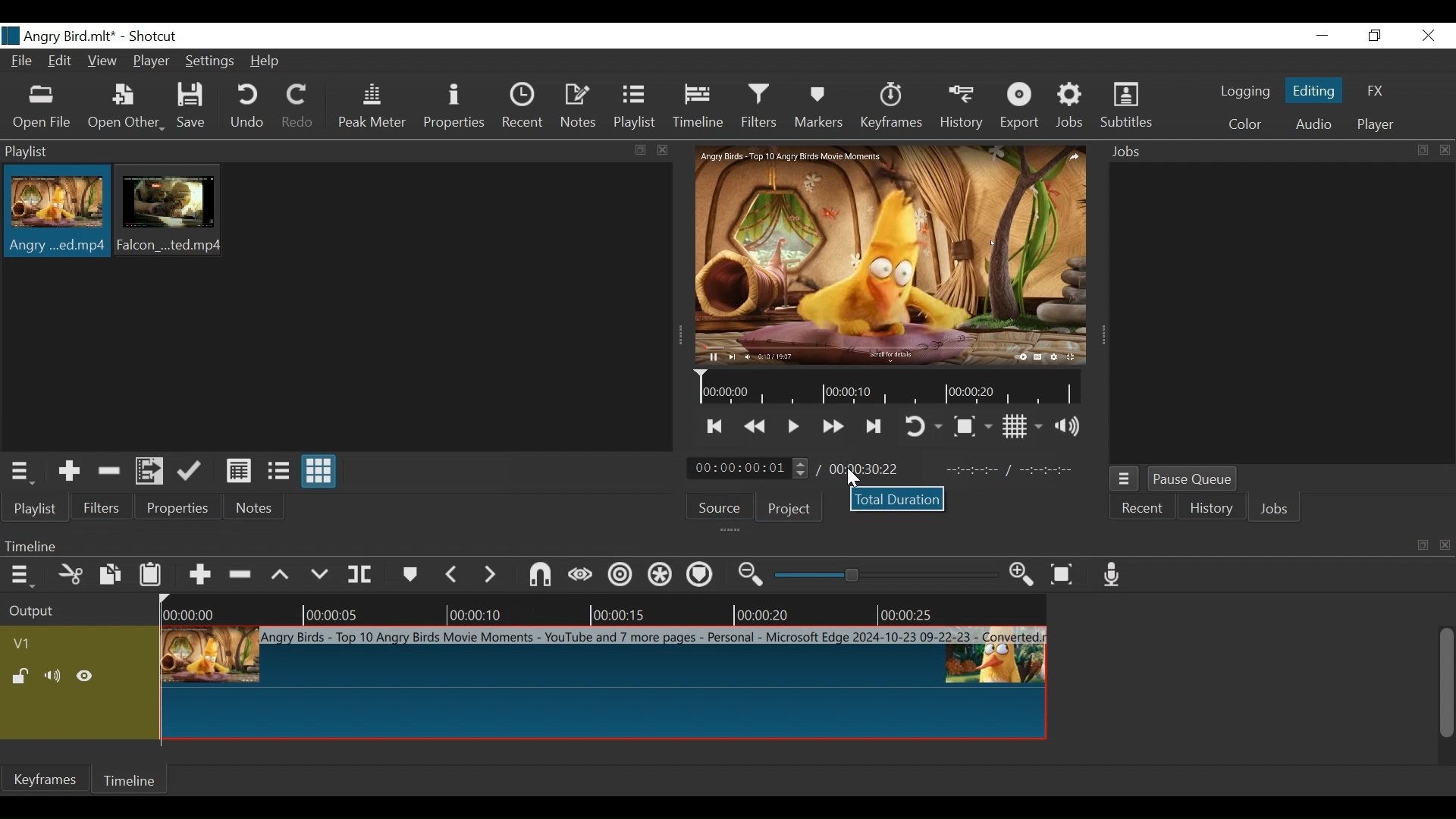 Image resolution: width=1456 pixels, height=819 pixels. Describe the element at coordinates (886, 388) in the screenshot. I see `Timeline` at that location.